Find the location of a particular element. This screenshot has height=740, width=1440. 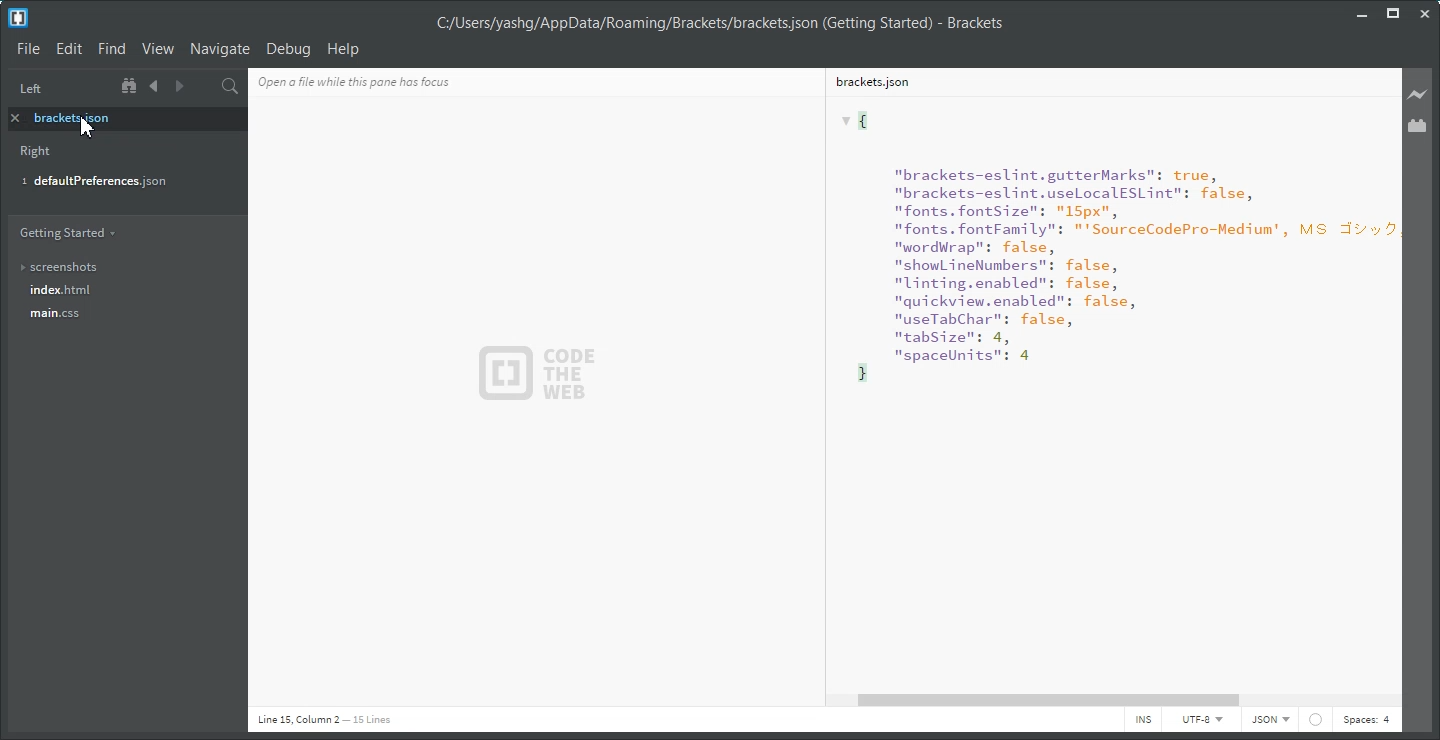

 is located at coordinates (90, 126).